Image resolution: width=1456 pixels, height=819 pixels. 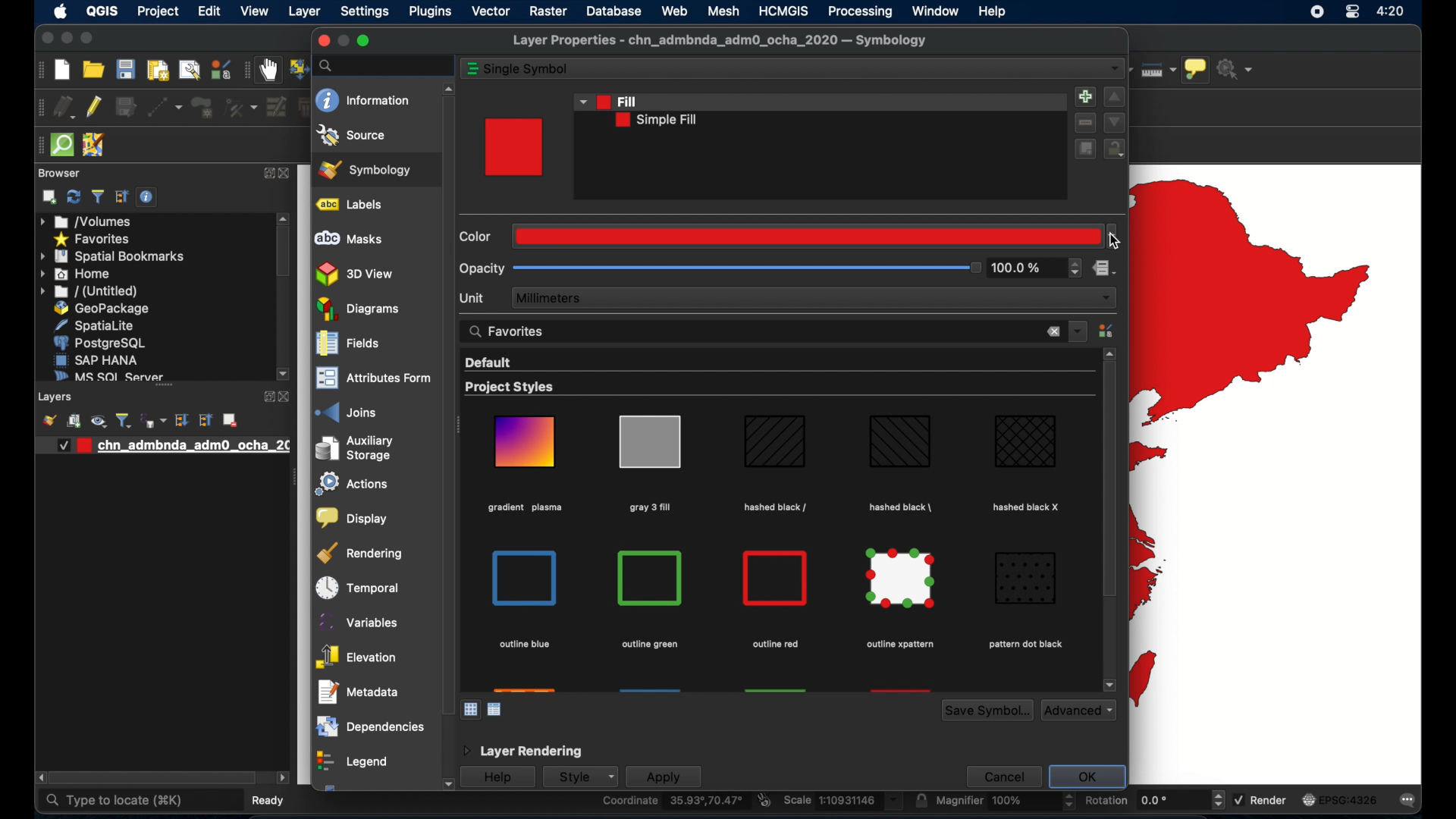 What do you see at coordinates (59, 11) in the screenshot?
I see `apple icon` at bounding box center [59, 11].